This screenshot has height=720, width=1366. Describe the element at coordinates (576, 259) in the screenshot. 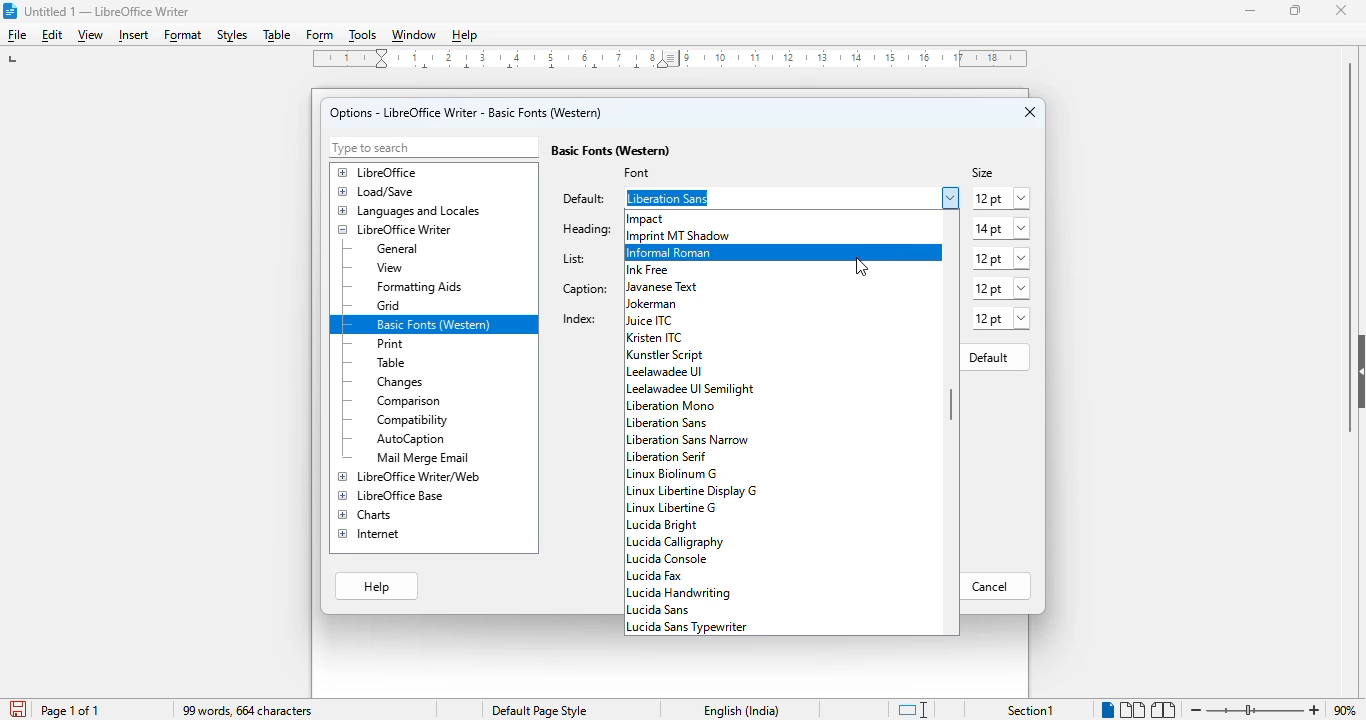

I see `list: ` at that location.